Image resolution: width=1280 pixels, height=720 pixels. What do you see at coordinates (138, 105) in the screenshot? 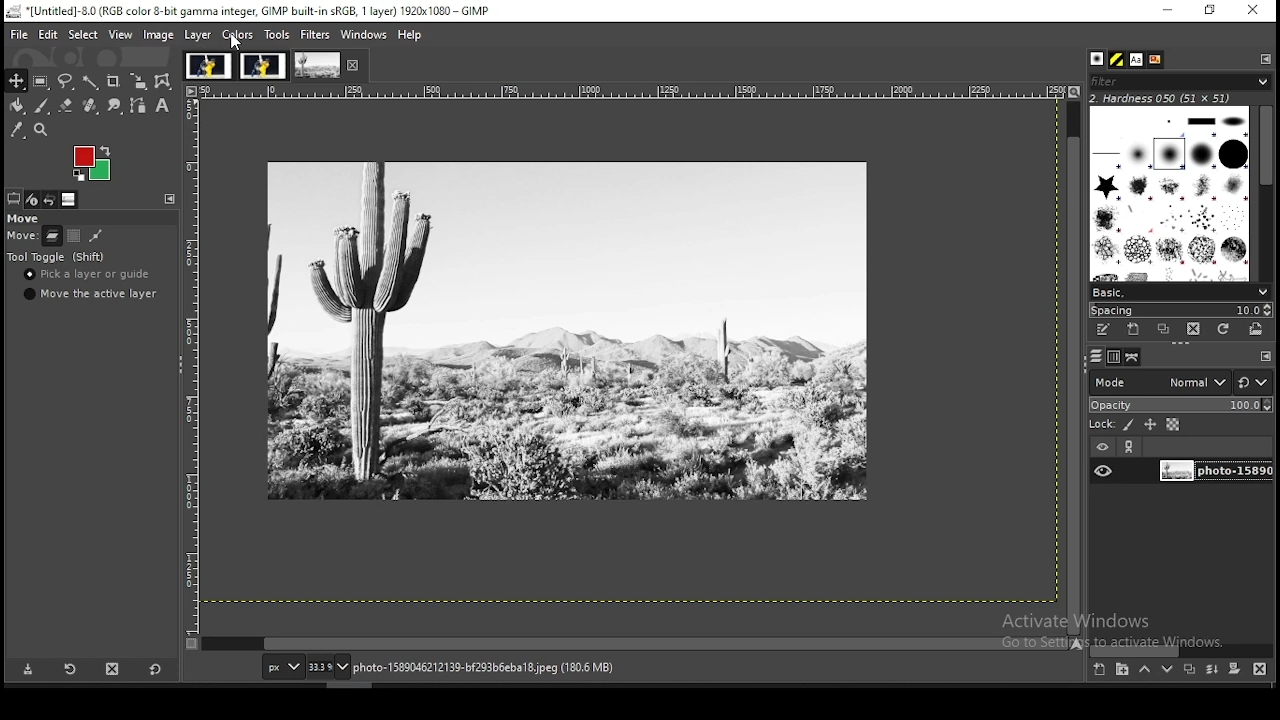
I see `paths tool` at bounding box center [138, 105].